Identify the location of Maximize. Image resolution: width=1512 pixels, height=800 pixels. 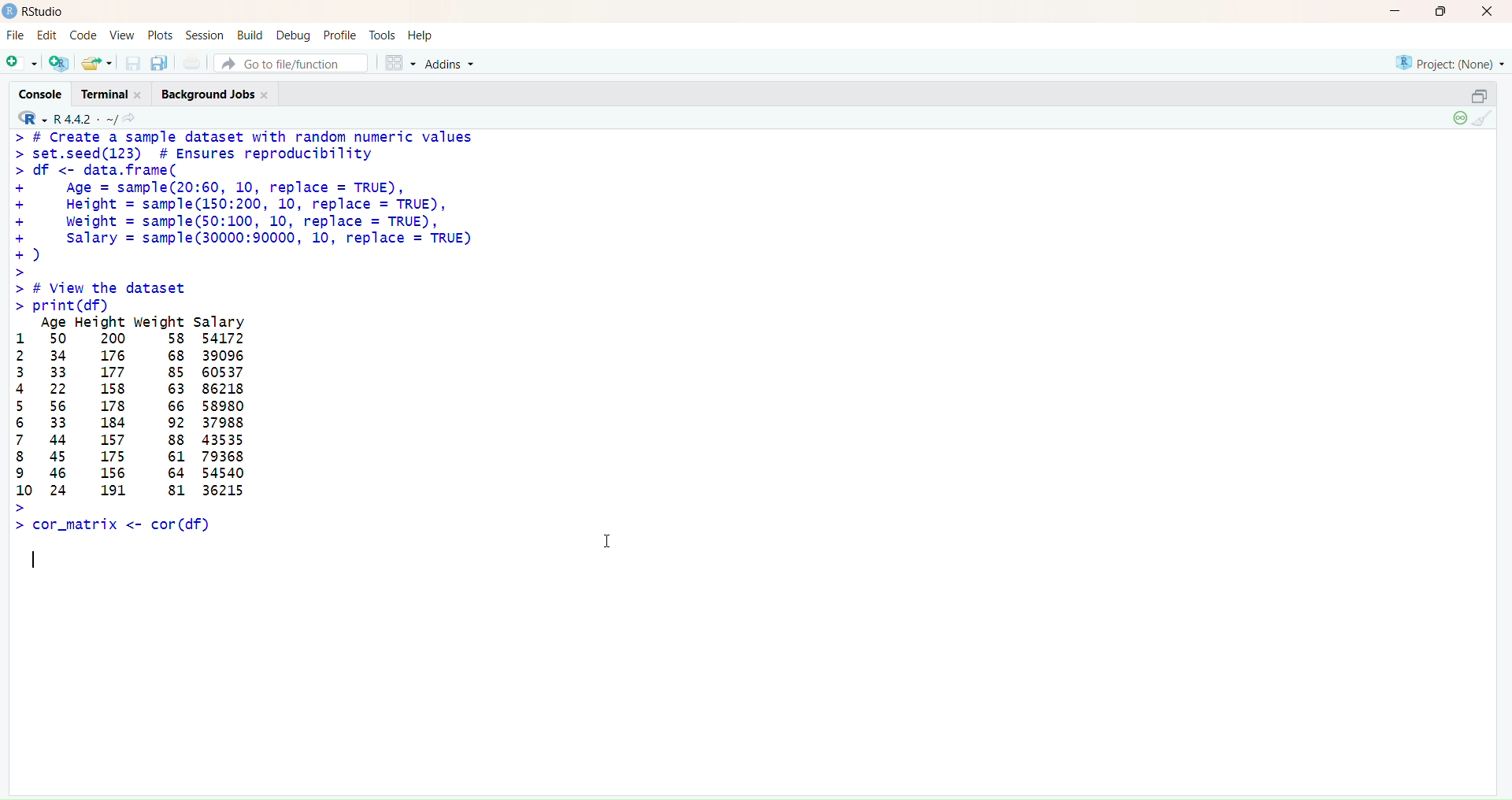
(1441, 12).